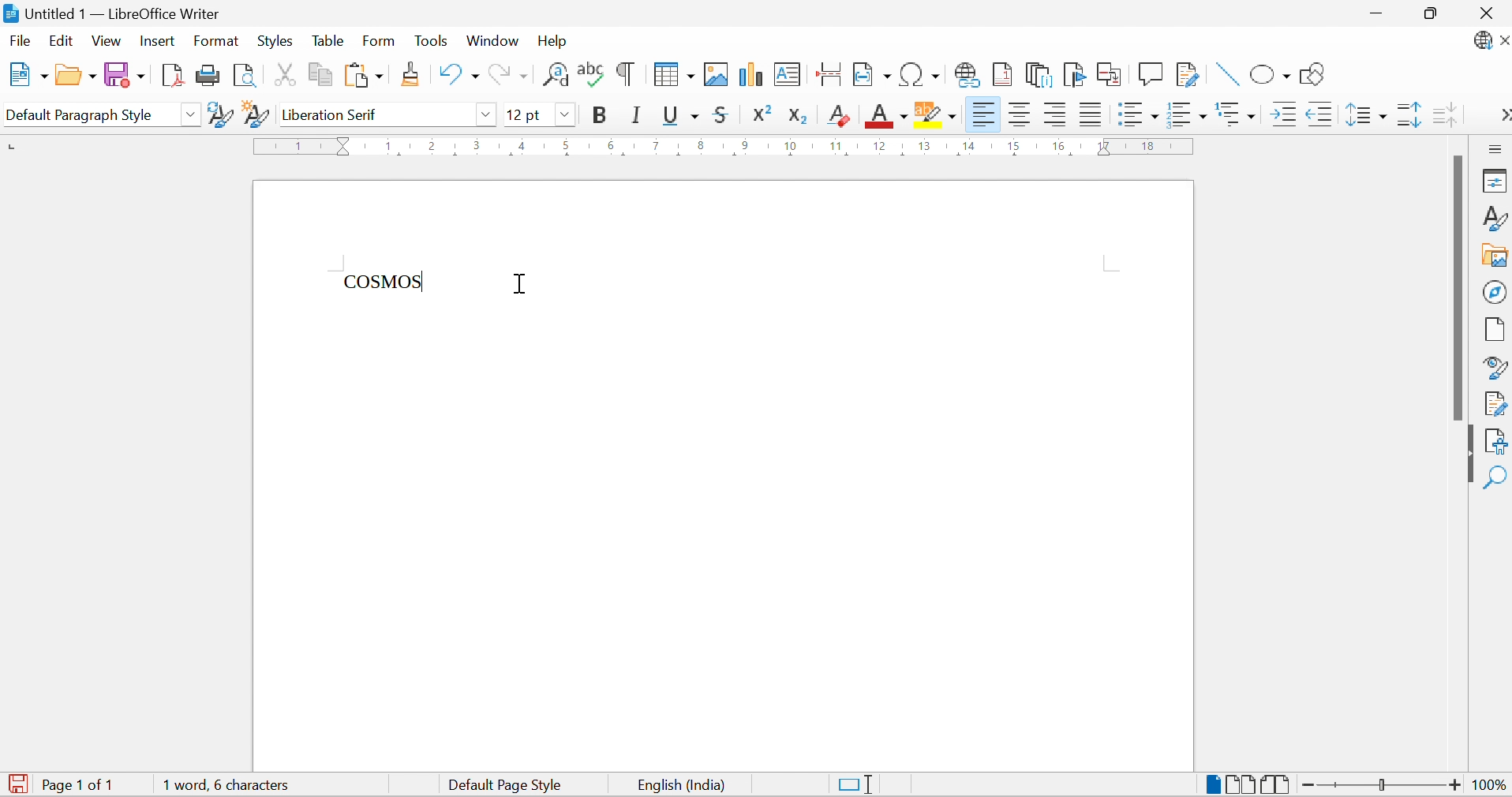 Image resolution: width=1512 pixels, height=797 pixels. I want to click on Insert Cross-reference, so click(1111, 76).